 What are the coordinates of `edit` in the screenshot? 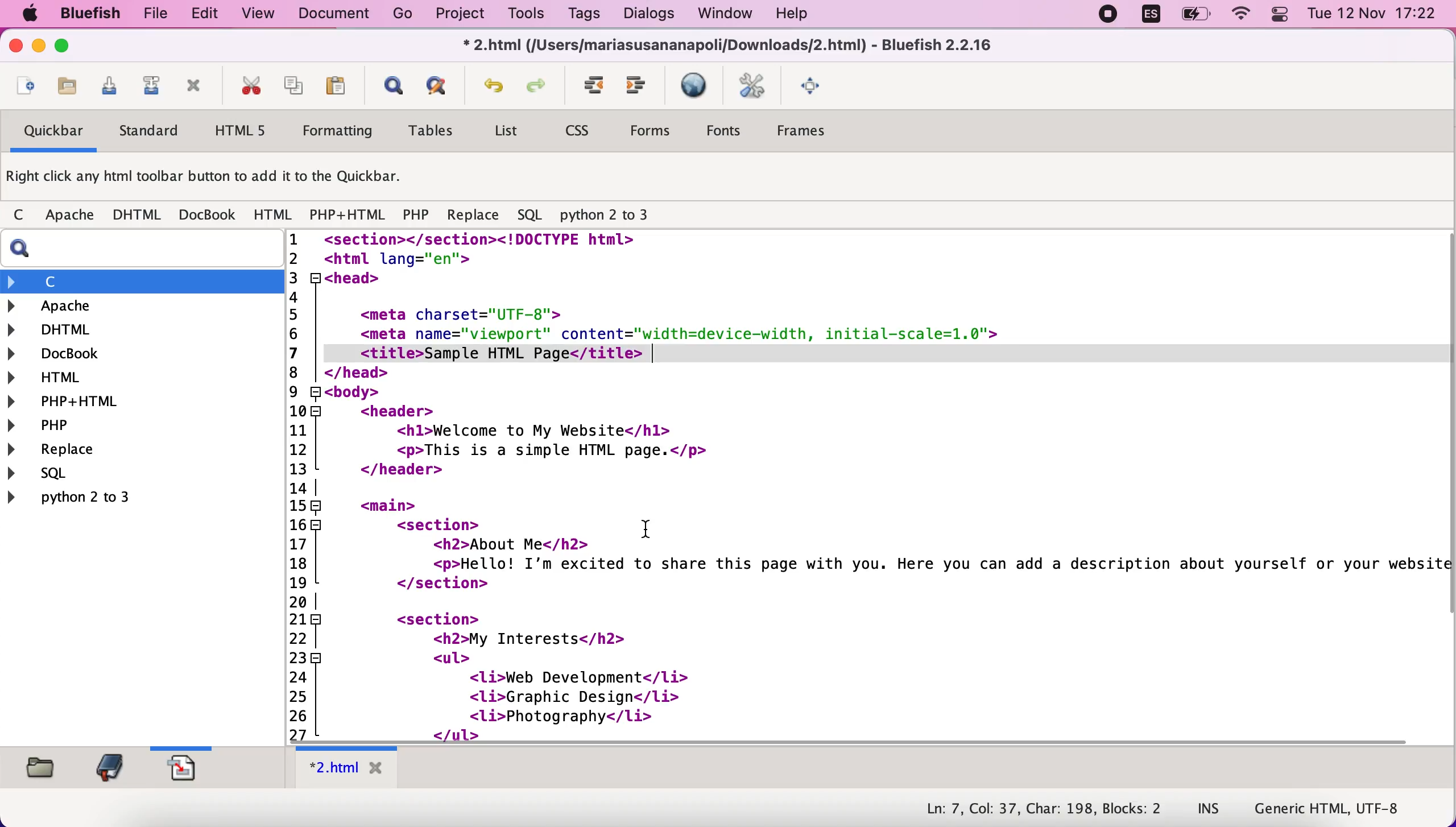 It's located at (208, 15).